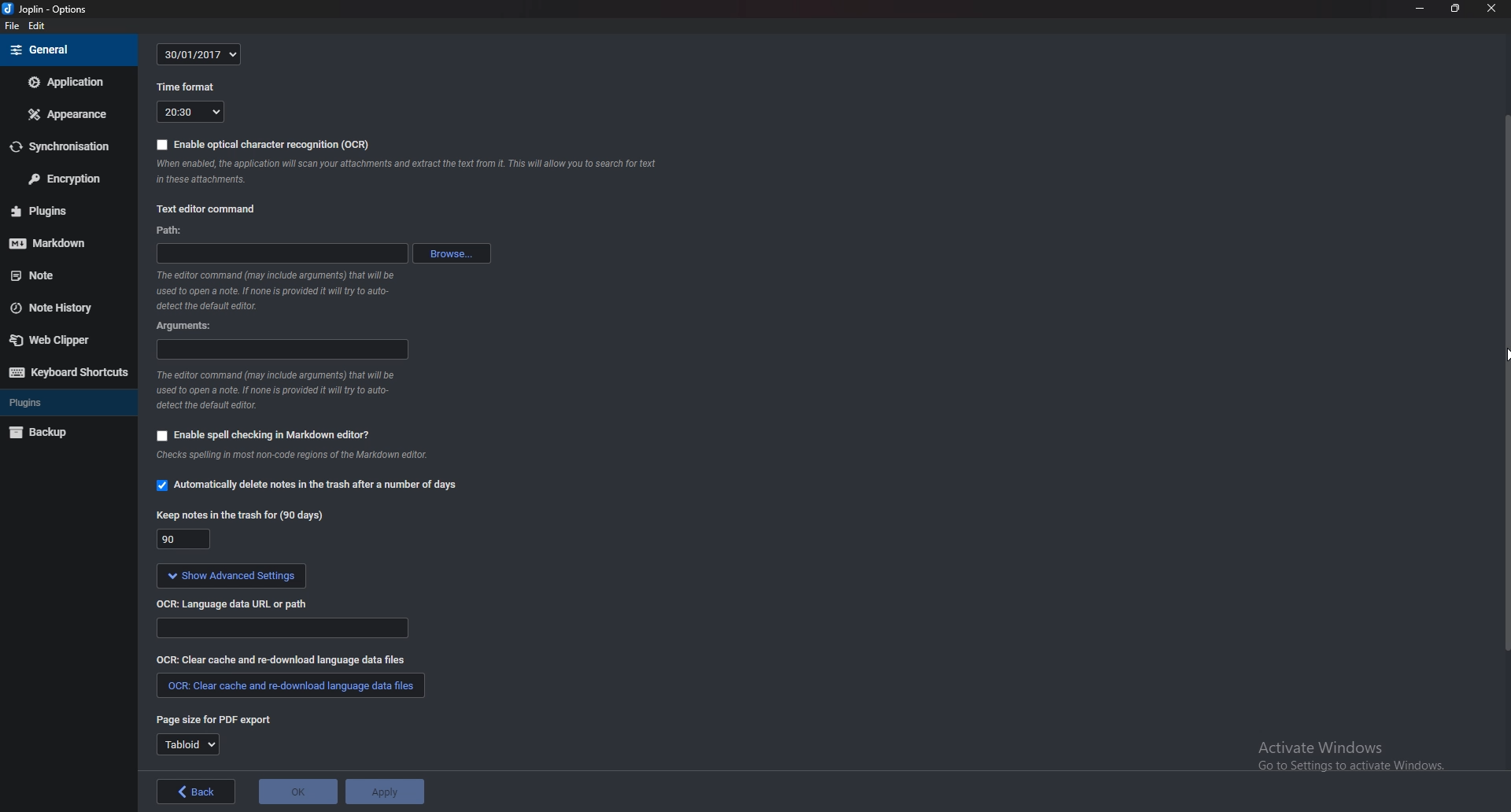  I want to click on time format, so click(187, 88).